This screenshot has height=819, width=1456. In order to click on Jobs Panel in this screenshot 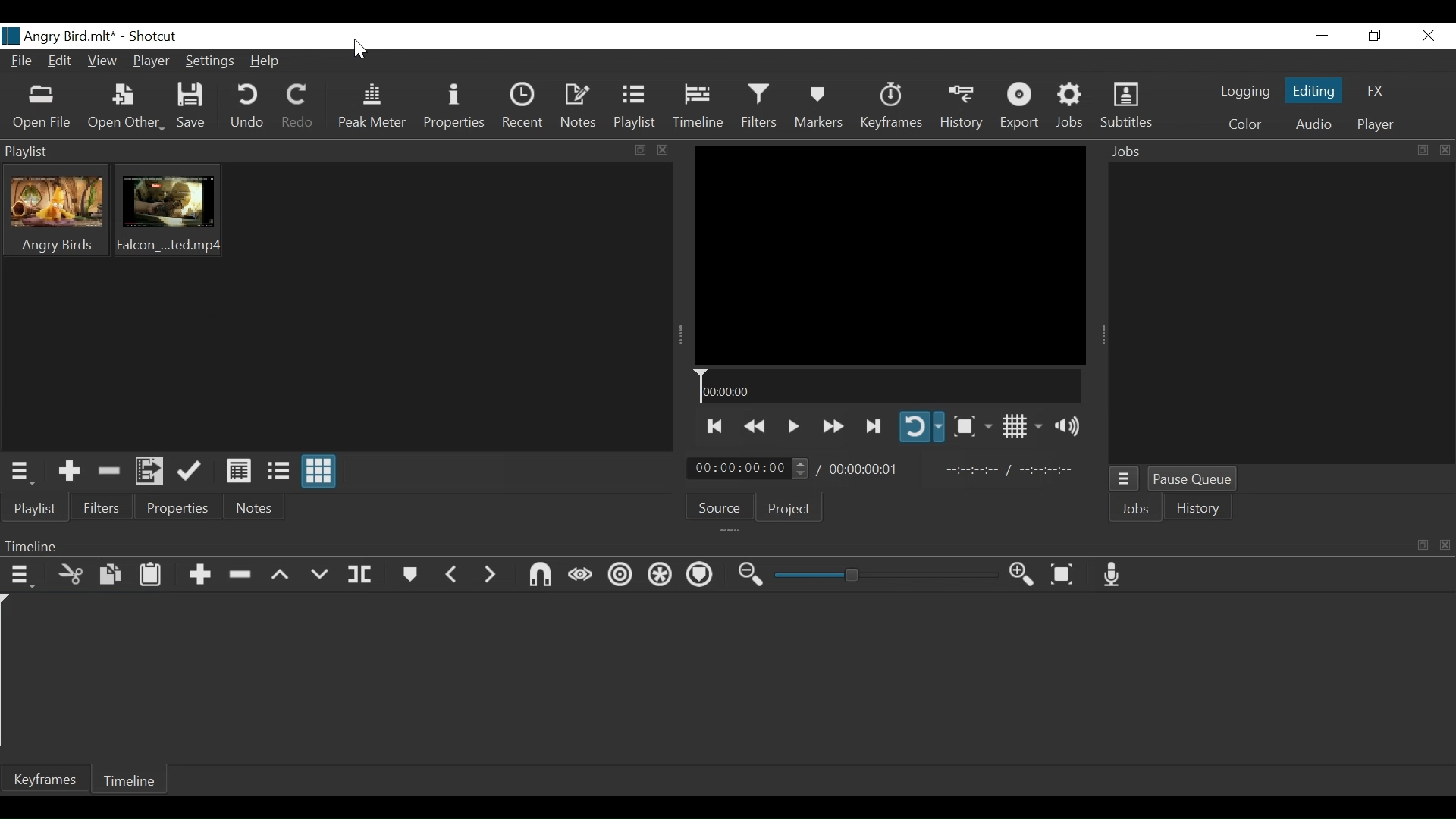, I will do `click(1255, 152)`.